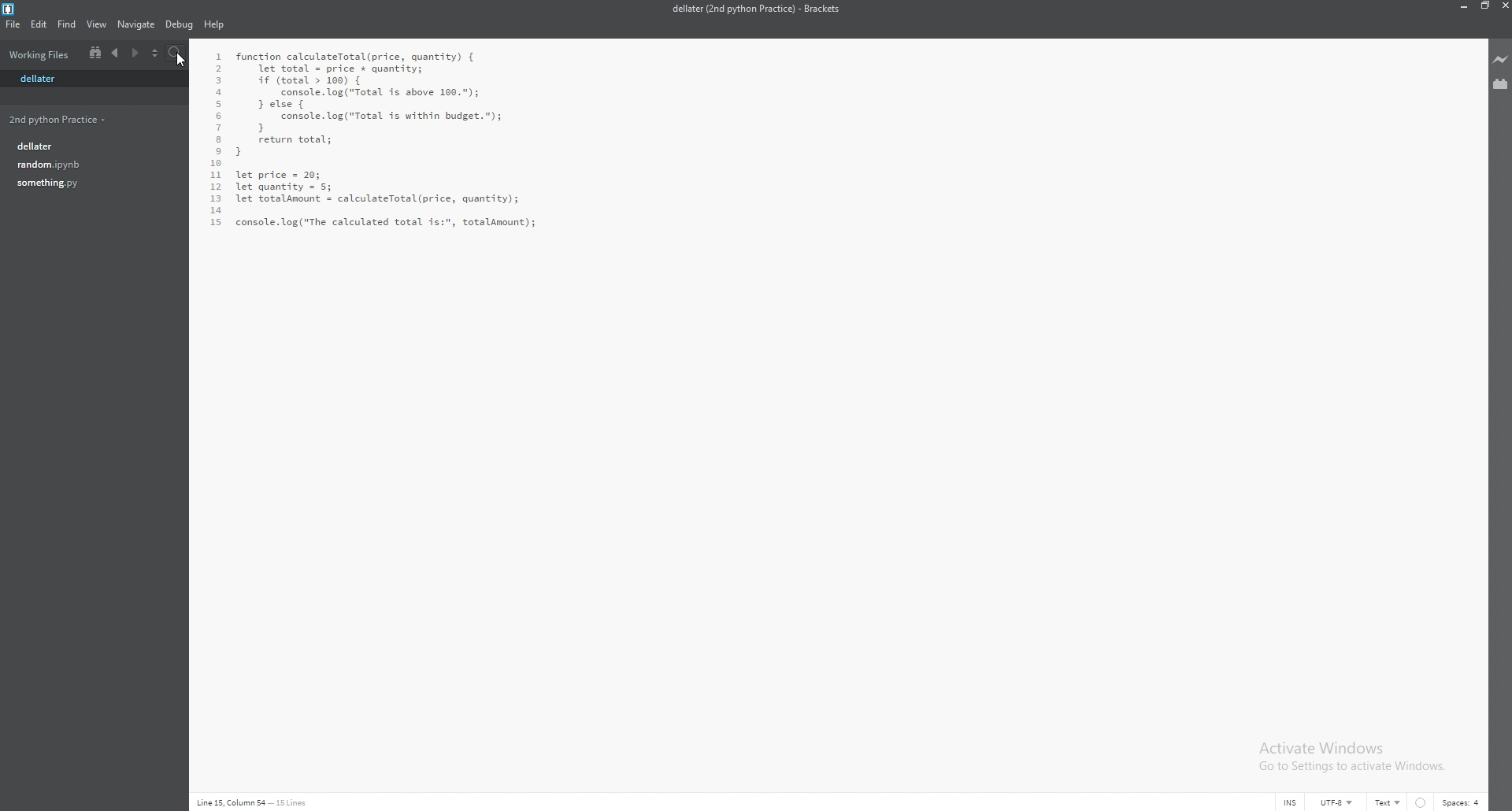  Describe the element at coordinates (1501, 84) in the screenshot. I see `extension manager` at that location.